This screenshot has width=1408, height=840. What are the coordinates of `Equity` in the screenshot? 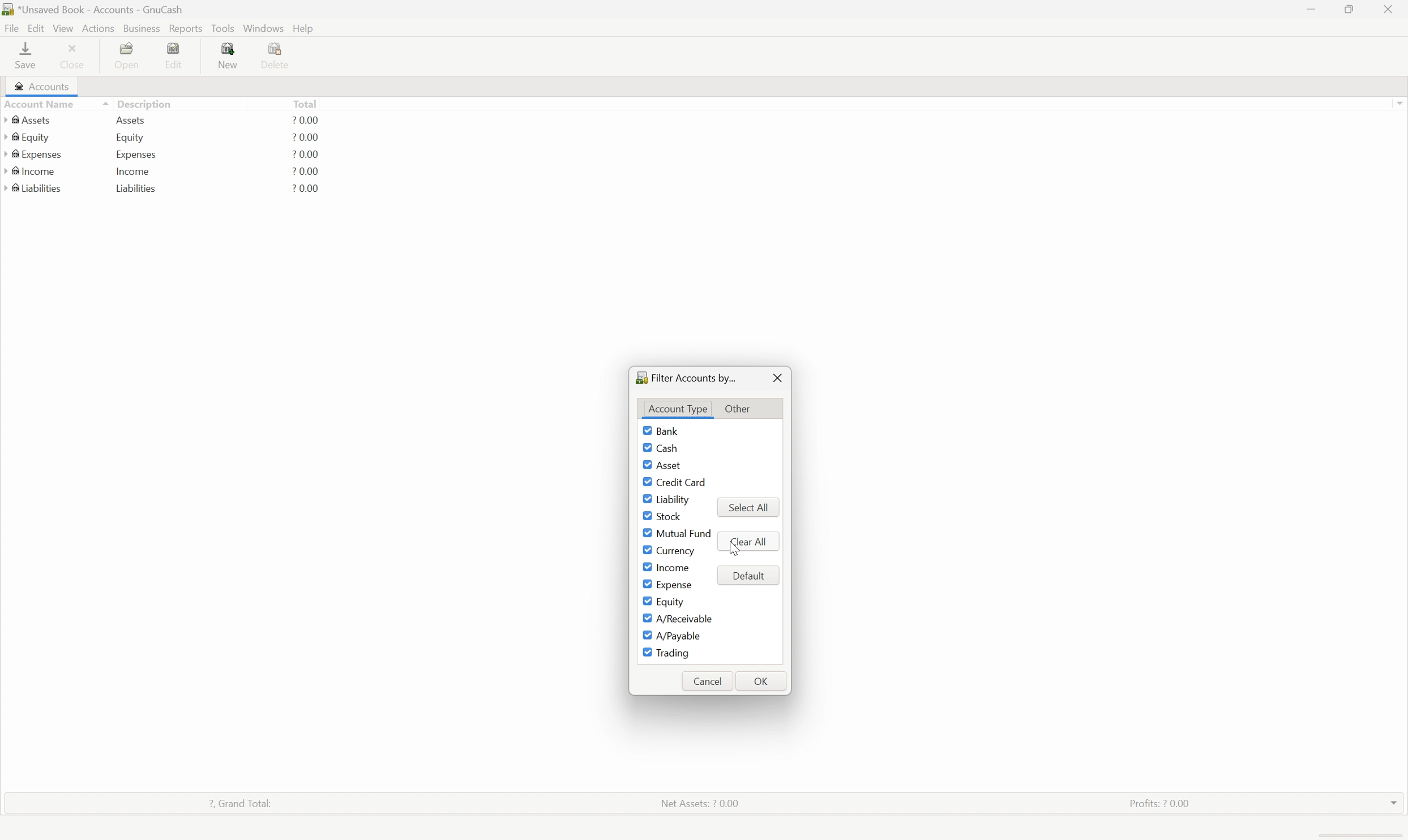 It's located at (671, 601).